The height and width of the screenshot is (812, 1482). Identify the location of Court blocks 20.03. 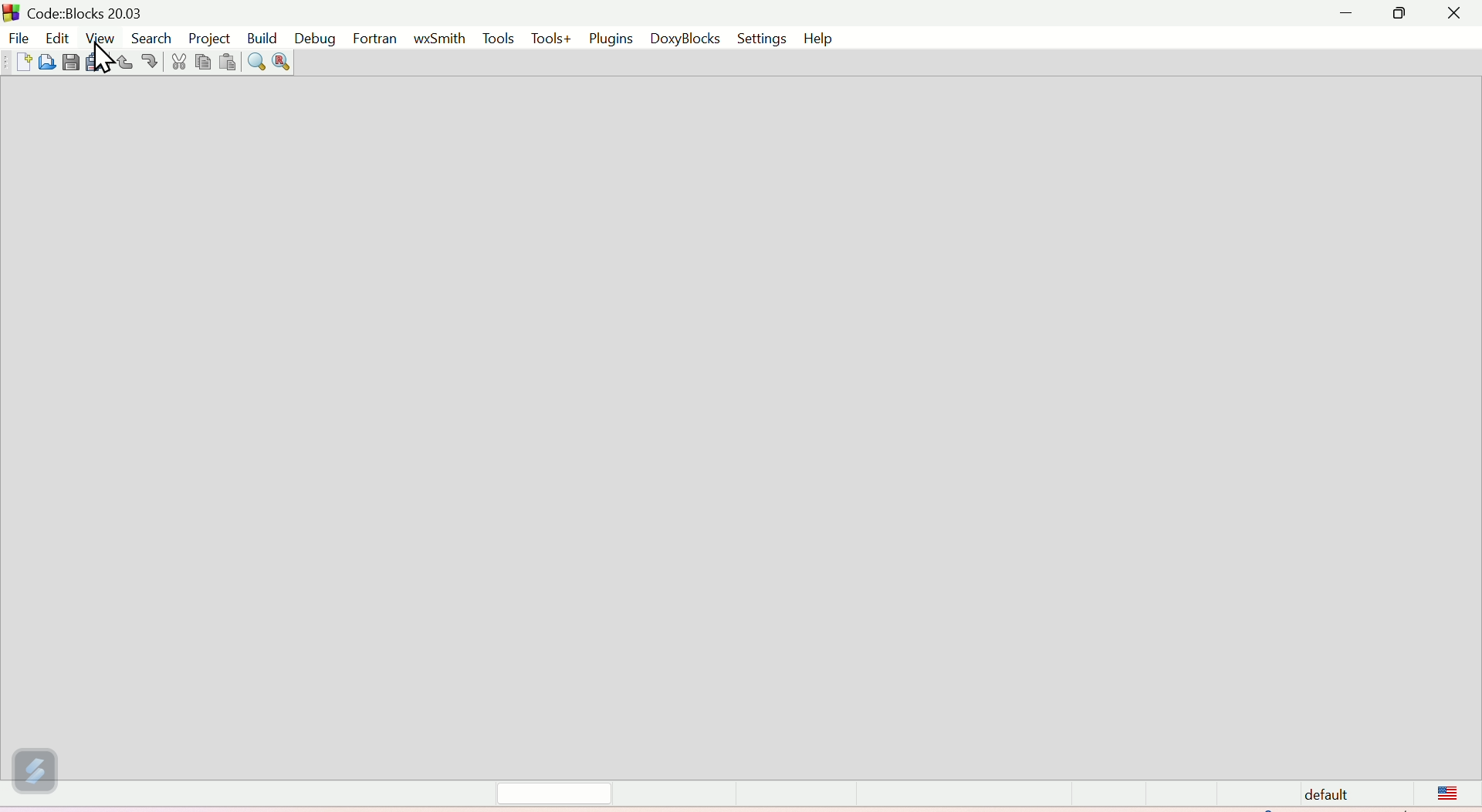
(93, 10).